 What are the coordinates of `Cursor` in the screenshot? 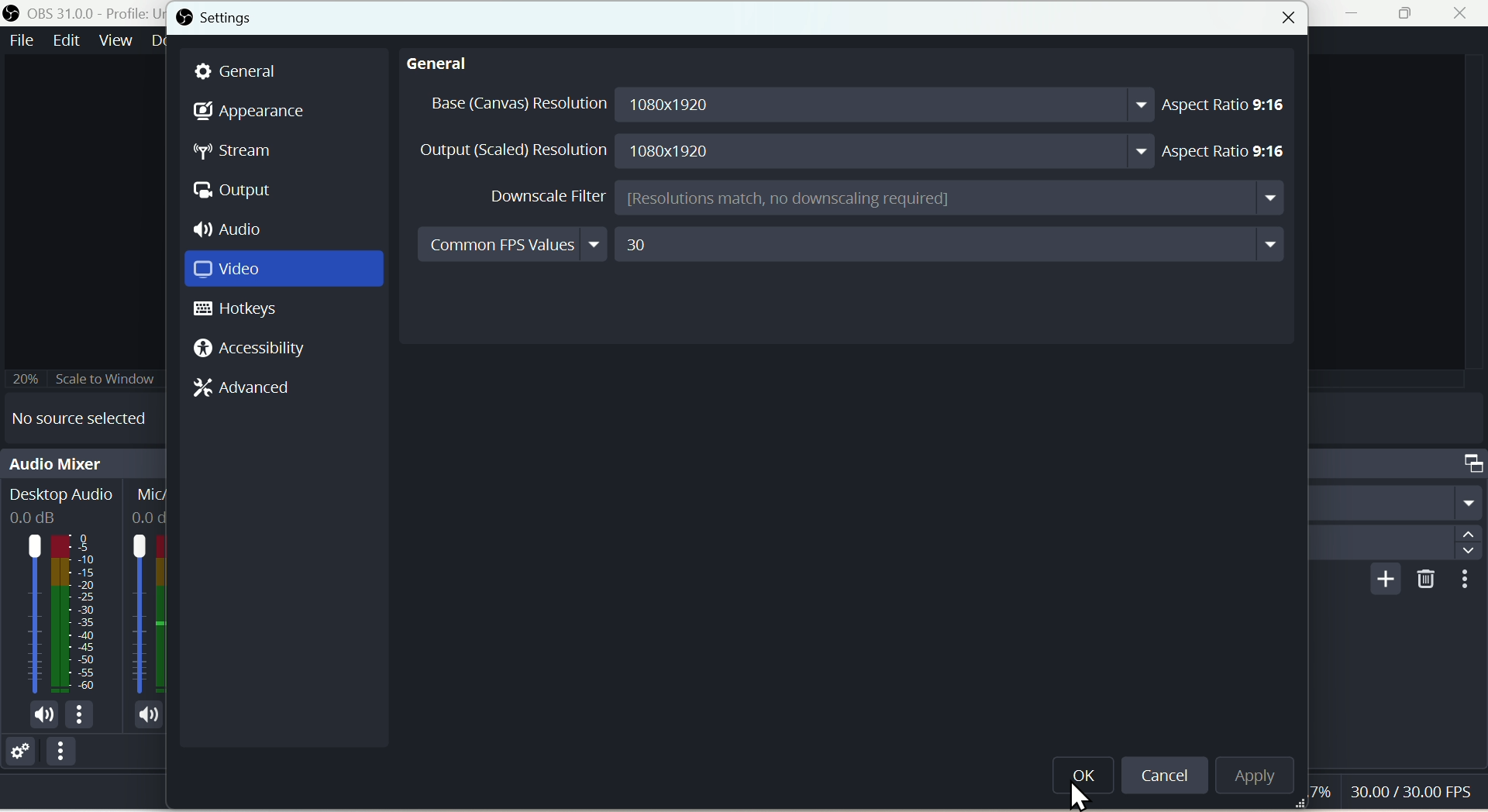 It's located at (1083, 796).